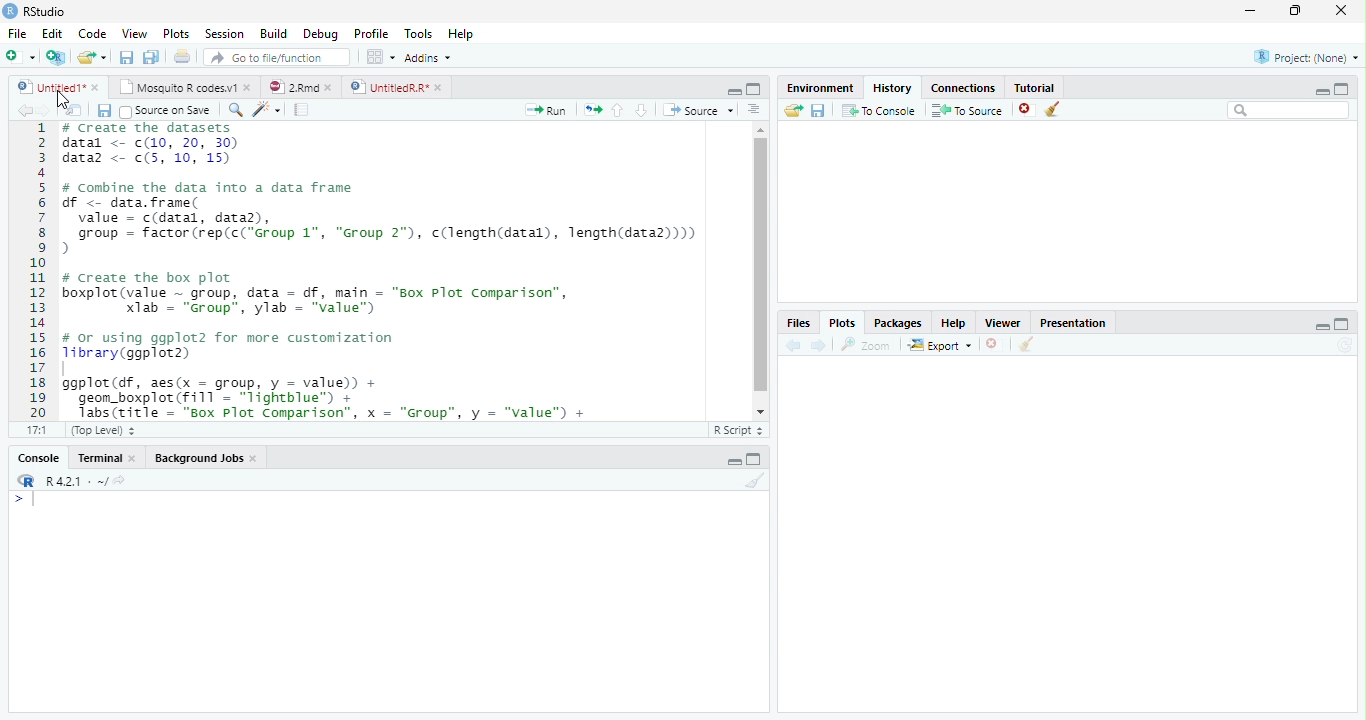 Image resolution: width=1366 pixels, height=720 pixels. Describe the element at coordinates (132, 457) in the screenshot. I see `close` at that location.